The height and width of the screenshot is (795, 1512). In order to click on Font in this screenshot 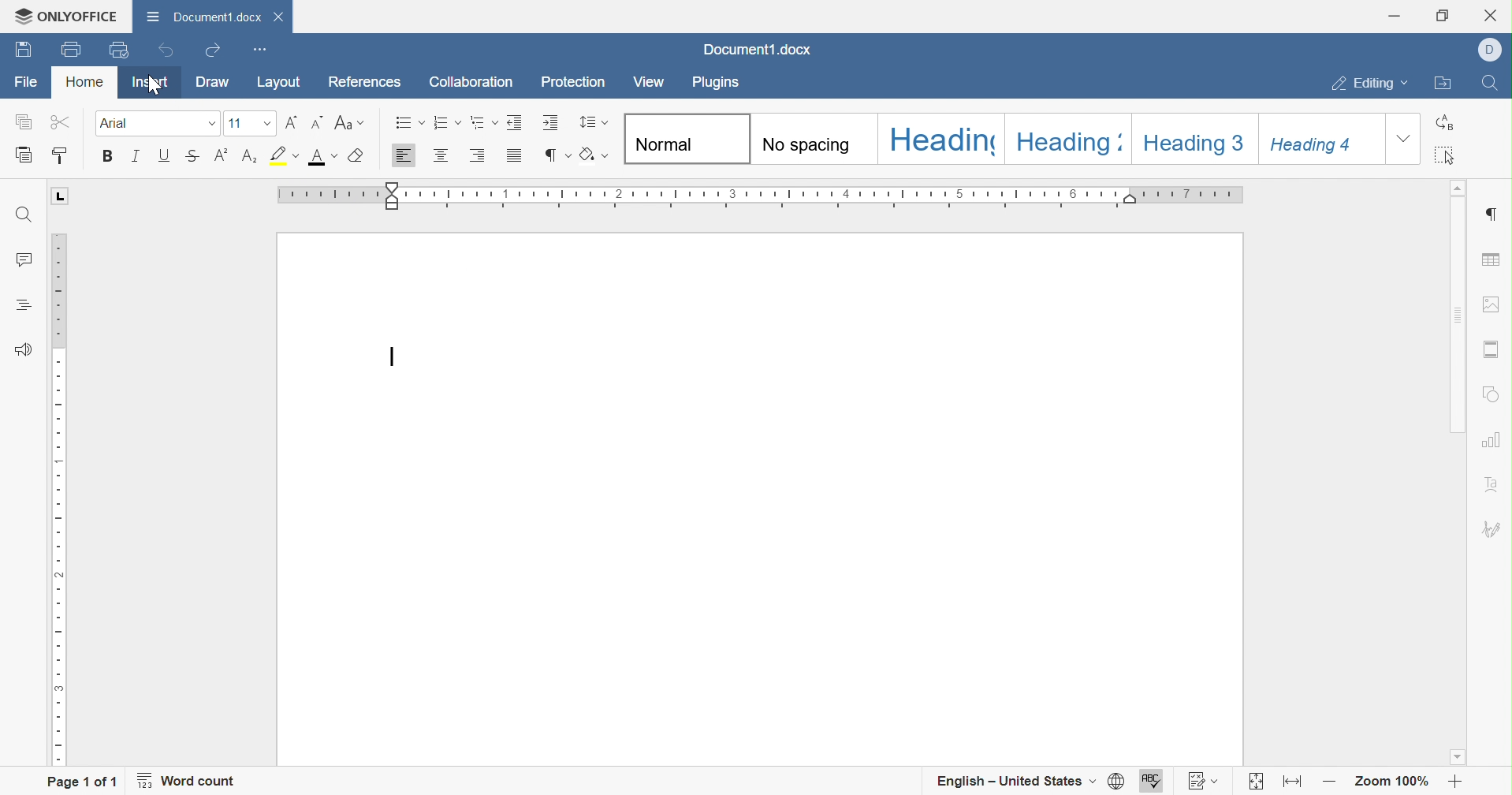, I will do `click(158, 125)`.